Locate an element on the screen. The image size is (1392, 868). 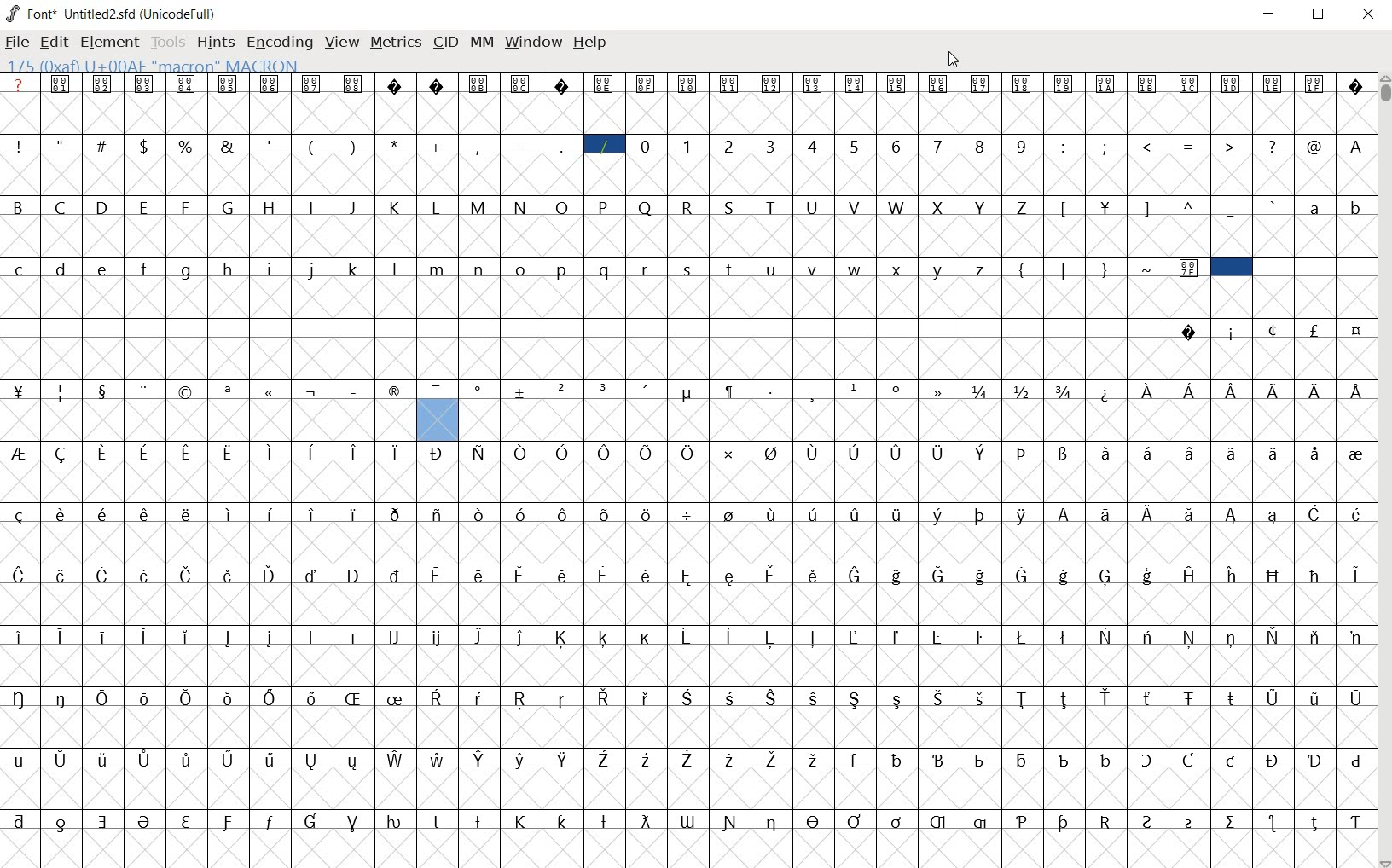
Symbol is located at coordinates (479, 83).